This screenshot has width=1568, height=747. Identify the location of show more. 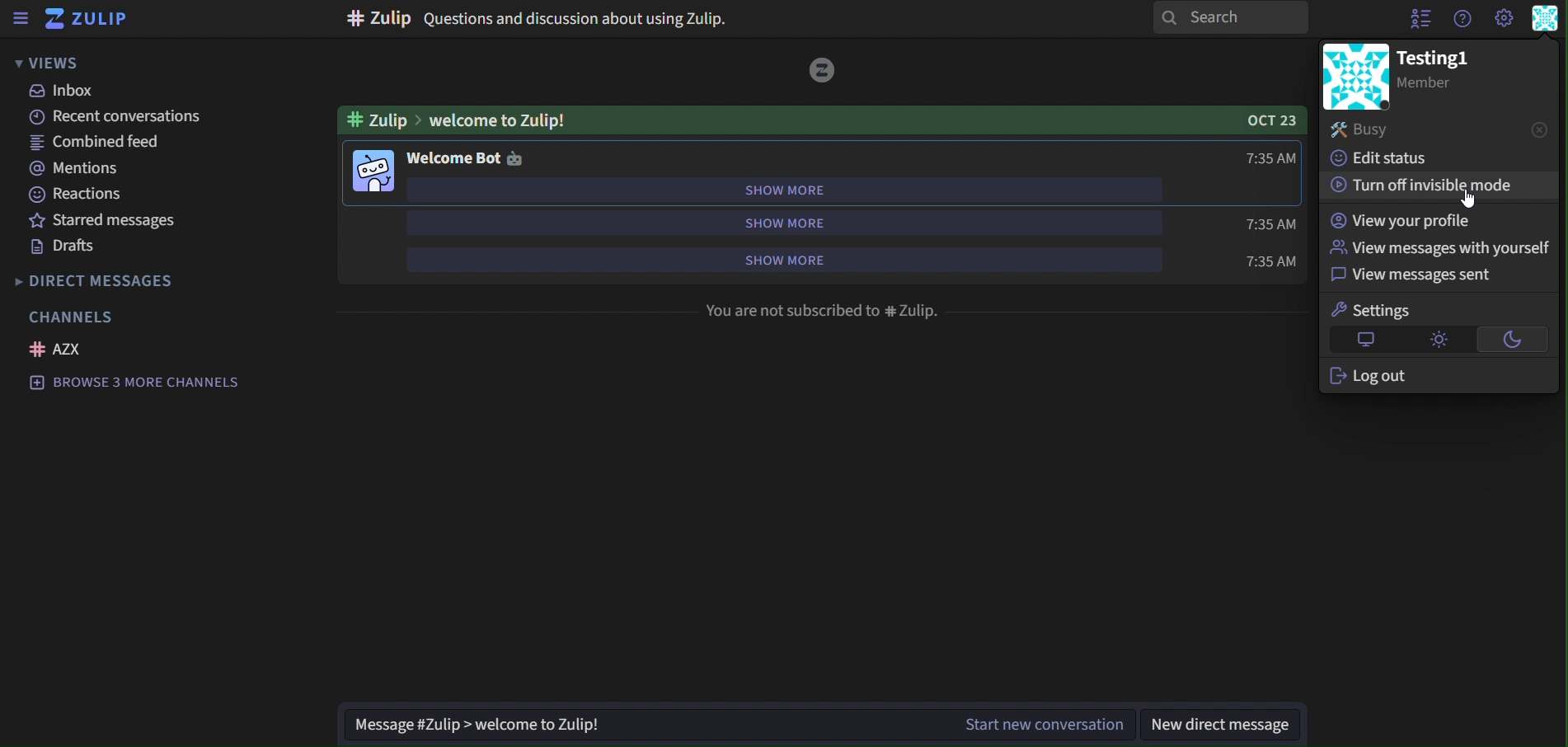
(786, 222).